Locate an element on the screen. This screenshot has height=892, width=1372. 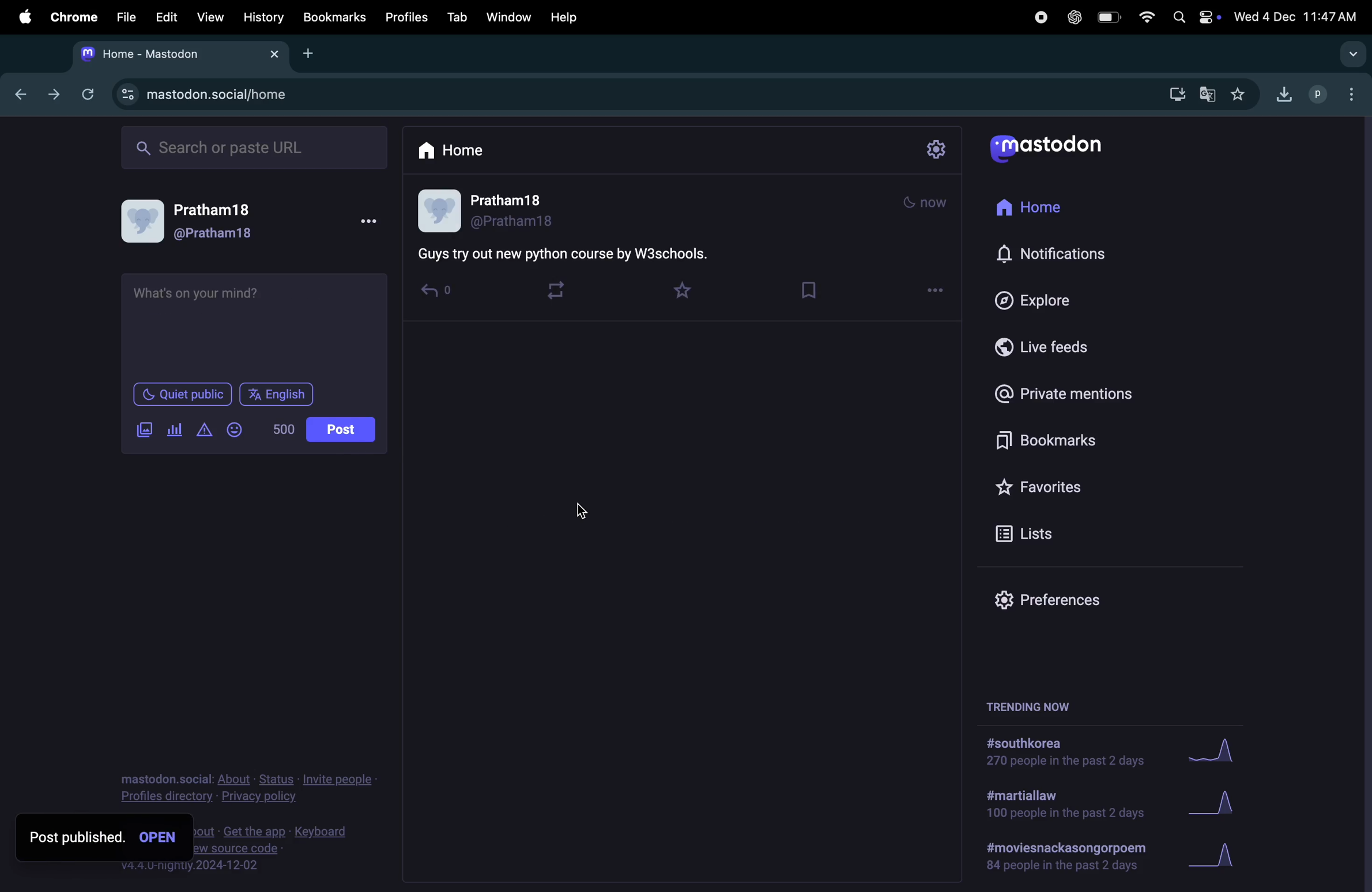
favourites is located at coordinates (1247, 93).